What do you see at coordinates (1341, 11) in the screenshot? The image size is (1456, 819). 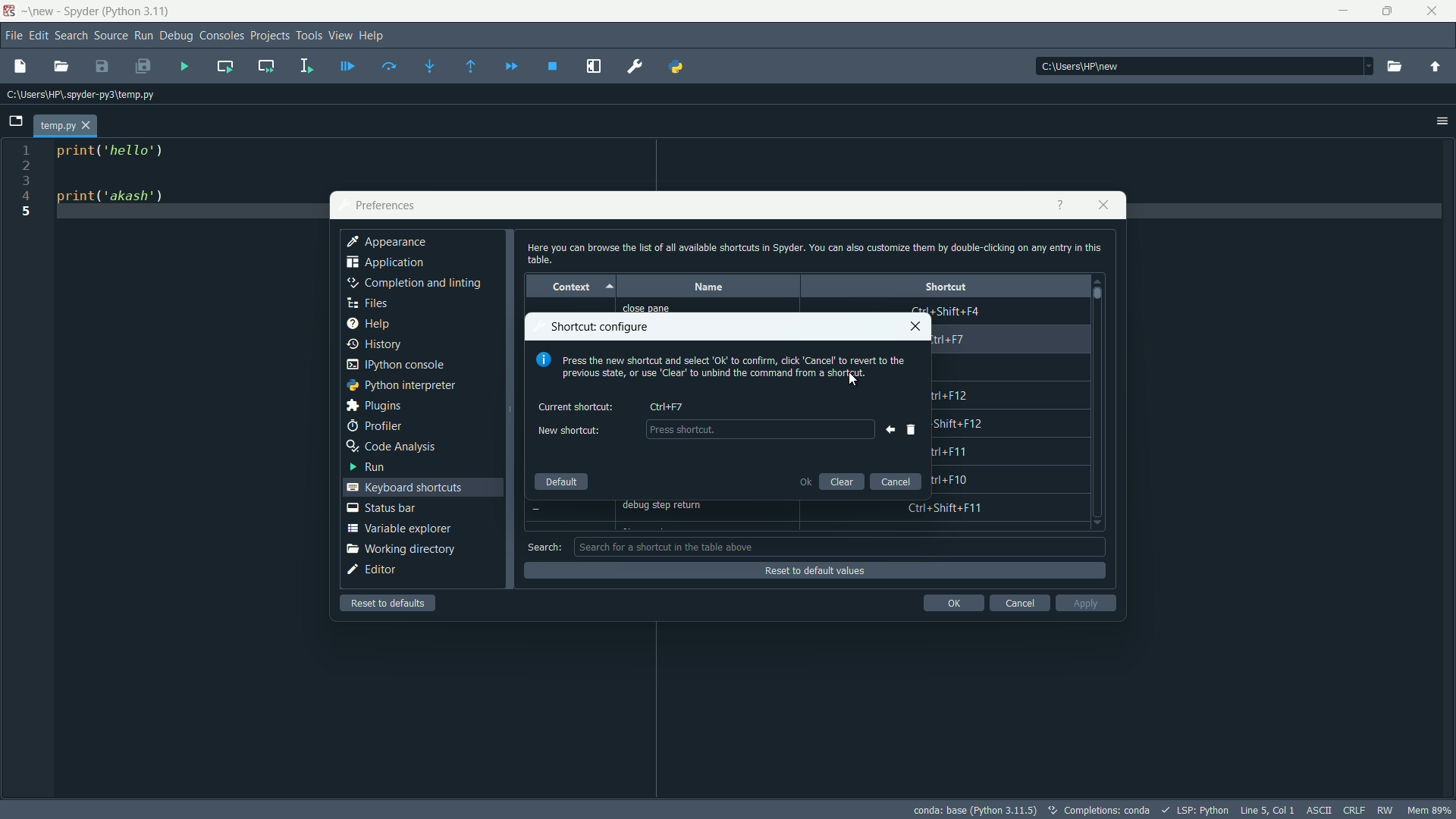 I see `minimize` at bounding box center [1341, 11].